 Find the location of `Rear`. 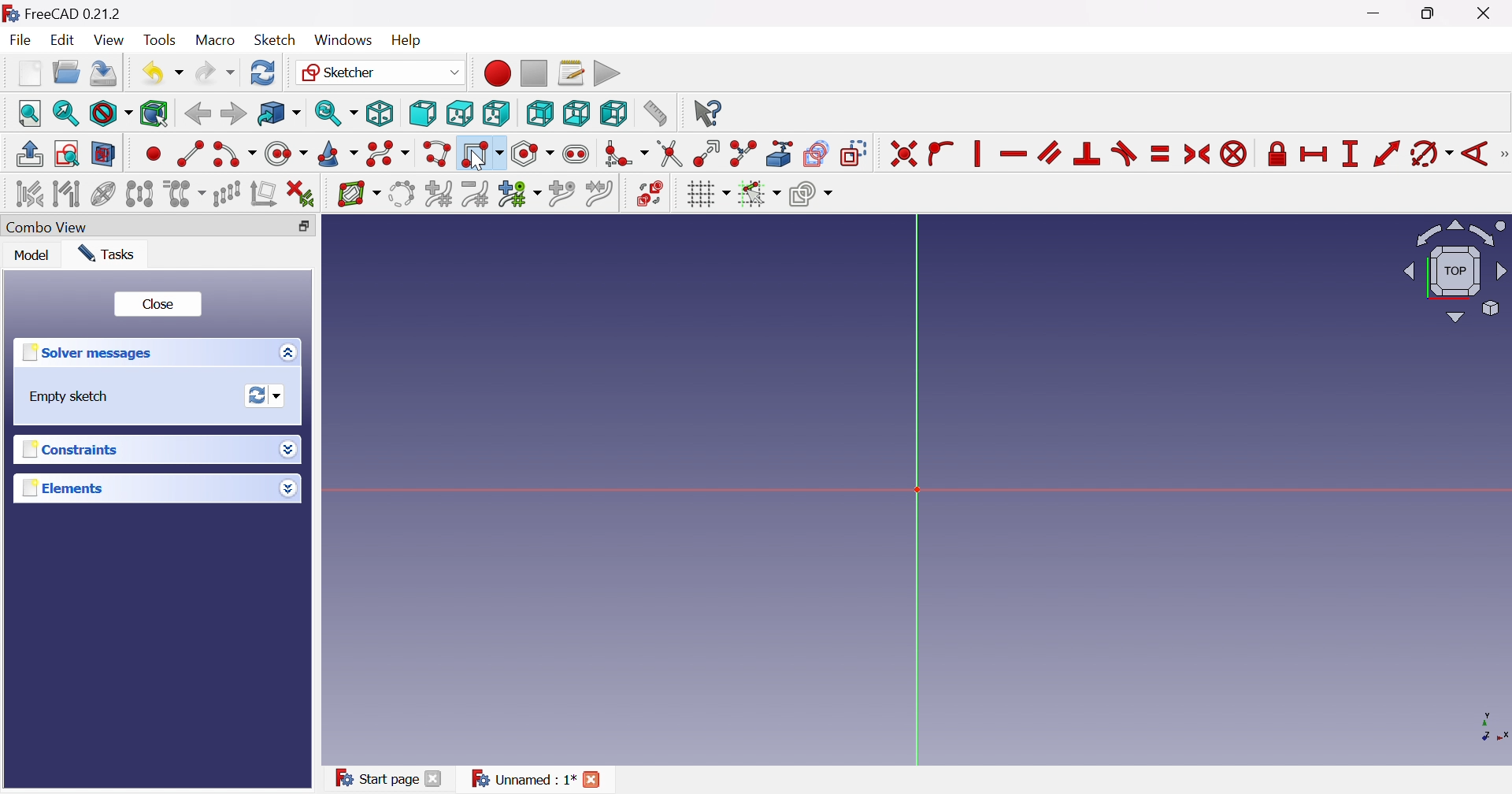

Rear is located at coordinates (540, 114).